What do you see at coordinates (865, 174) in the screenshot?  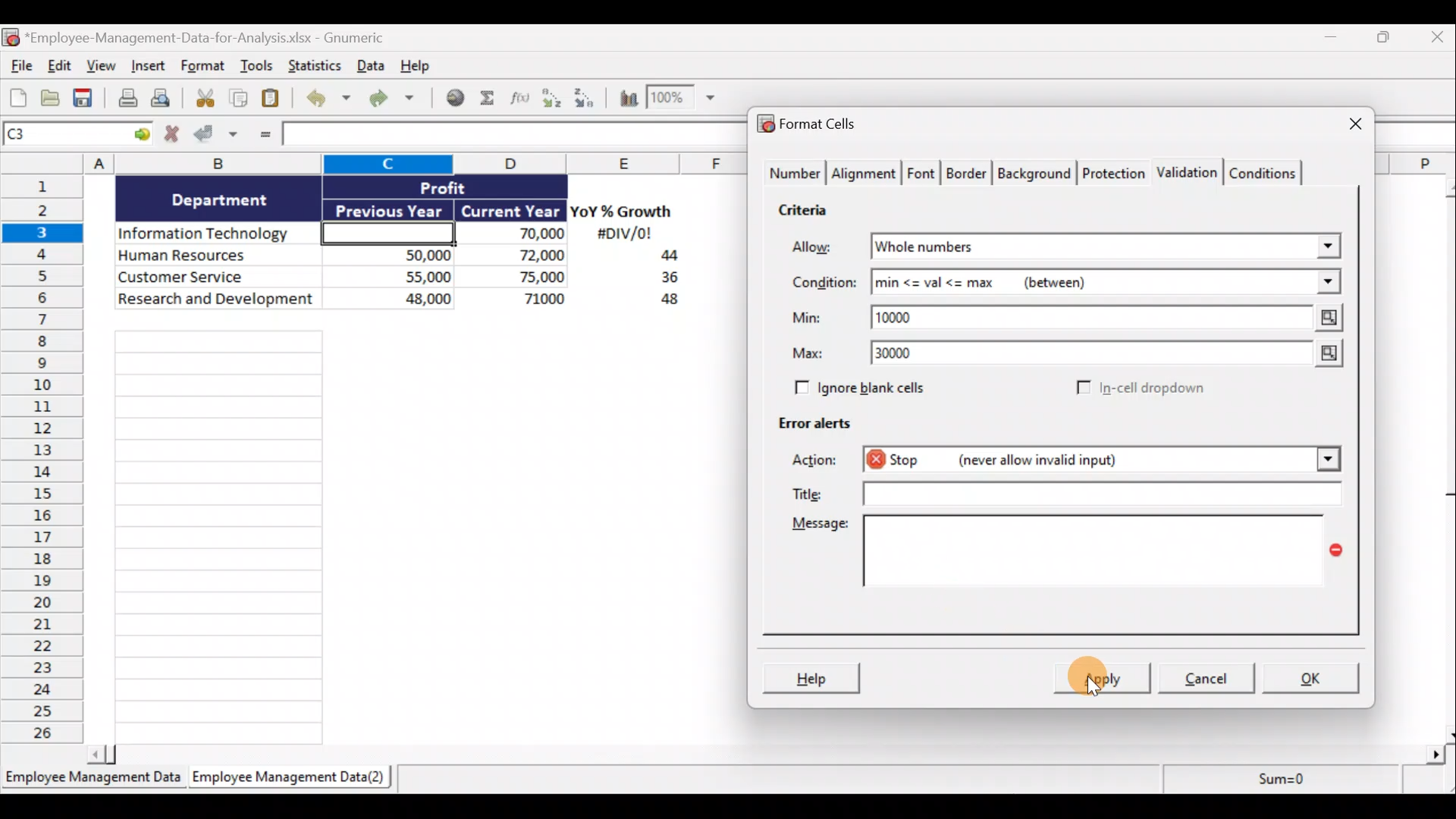 I see `Alignment` at bounding box center [865, 174].